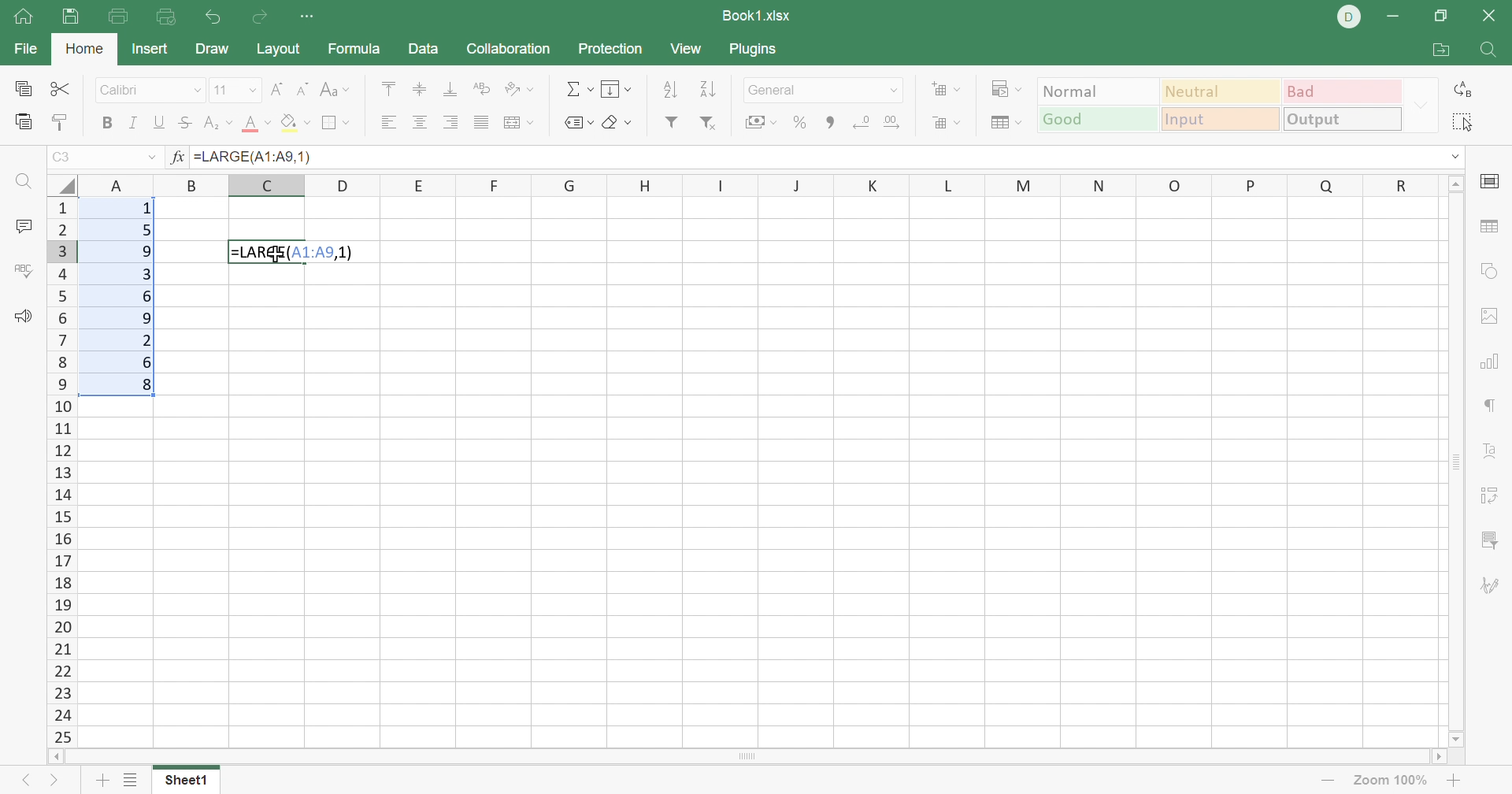  I want to click on table settings, so click(1492, 225).